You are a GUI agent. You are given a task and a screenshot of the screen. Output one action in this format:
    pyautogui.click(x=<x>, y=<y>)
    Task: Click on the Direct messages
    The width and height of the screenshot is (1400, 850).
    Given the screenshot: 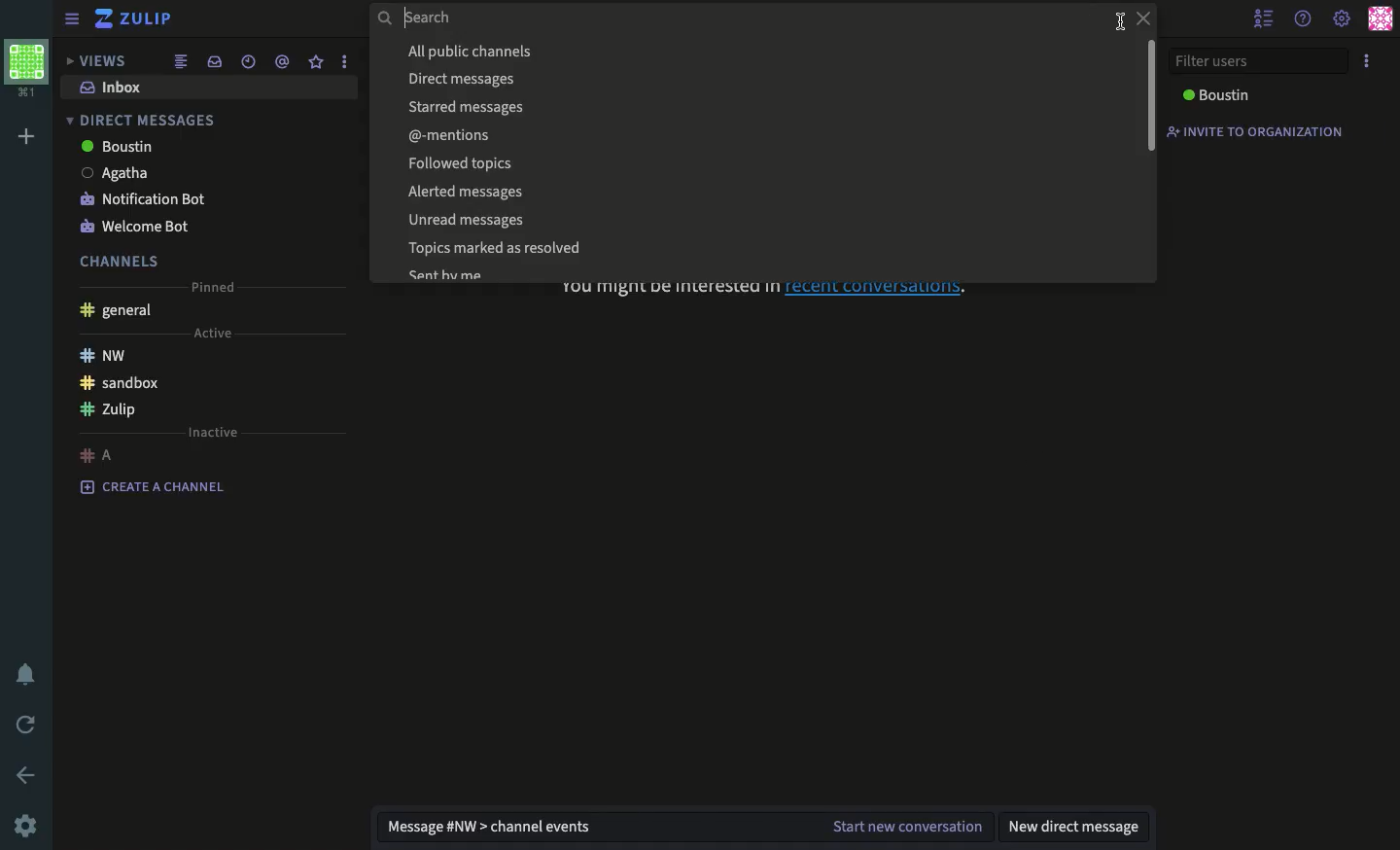 What is the action you would take?
    pyautogui.click(x=473, y=79)
    